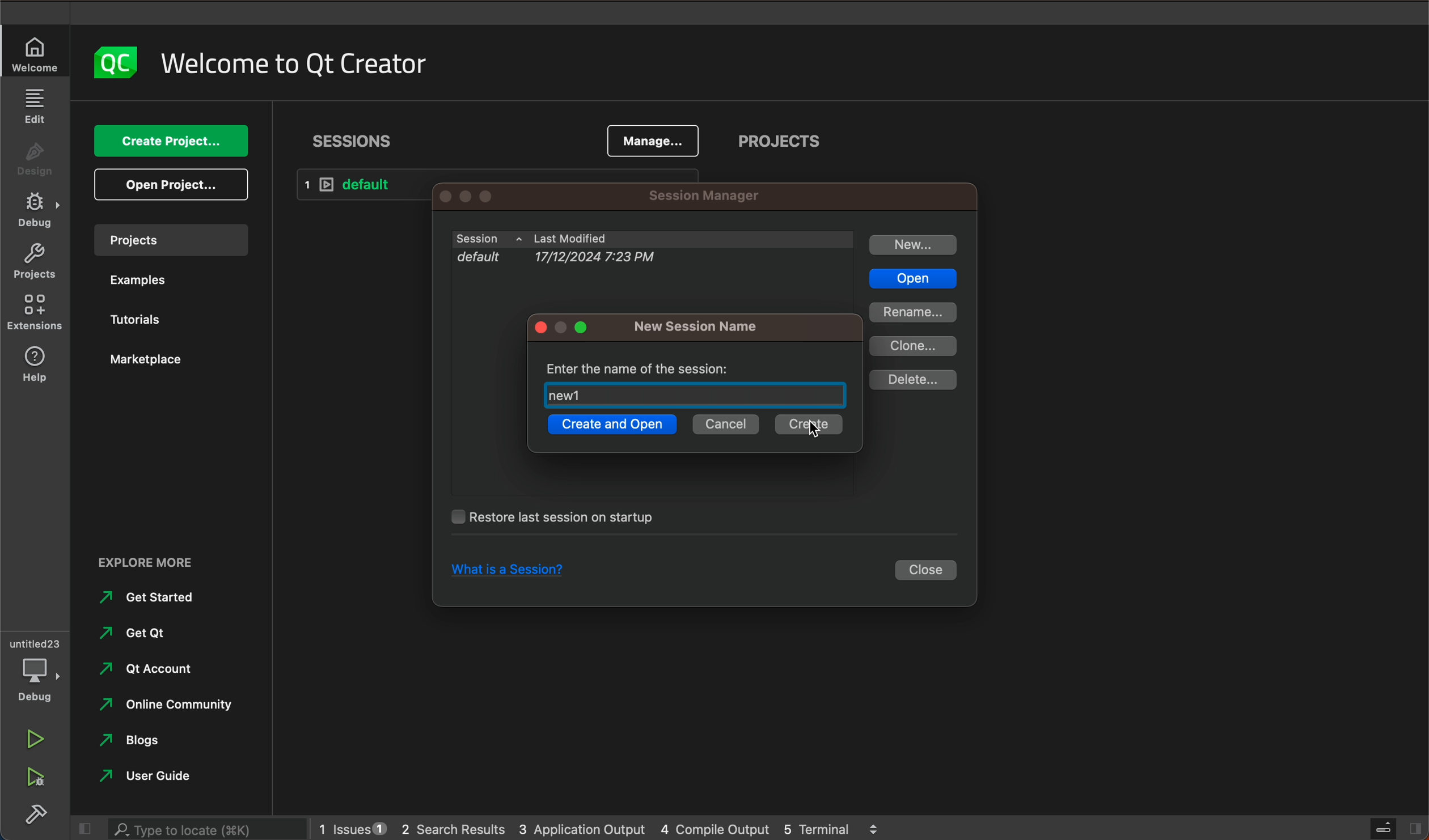 The image size is (1429, 840). Describe the element at coordinates (295, 63) in the screenshot. I see `welcome` at that location.